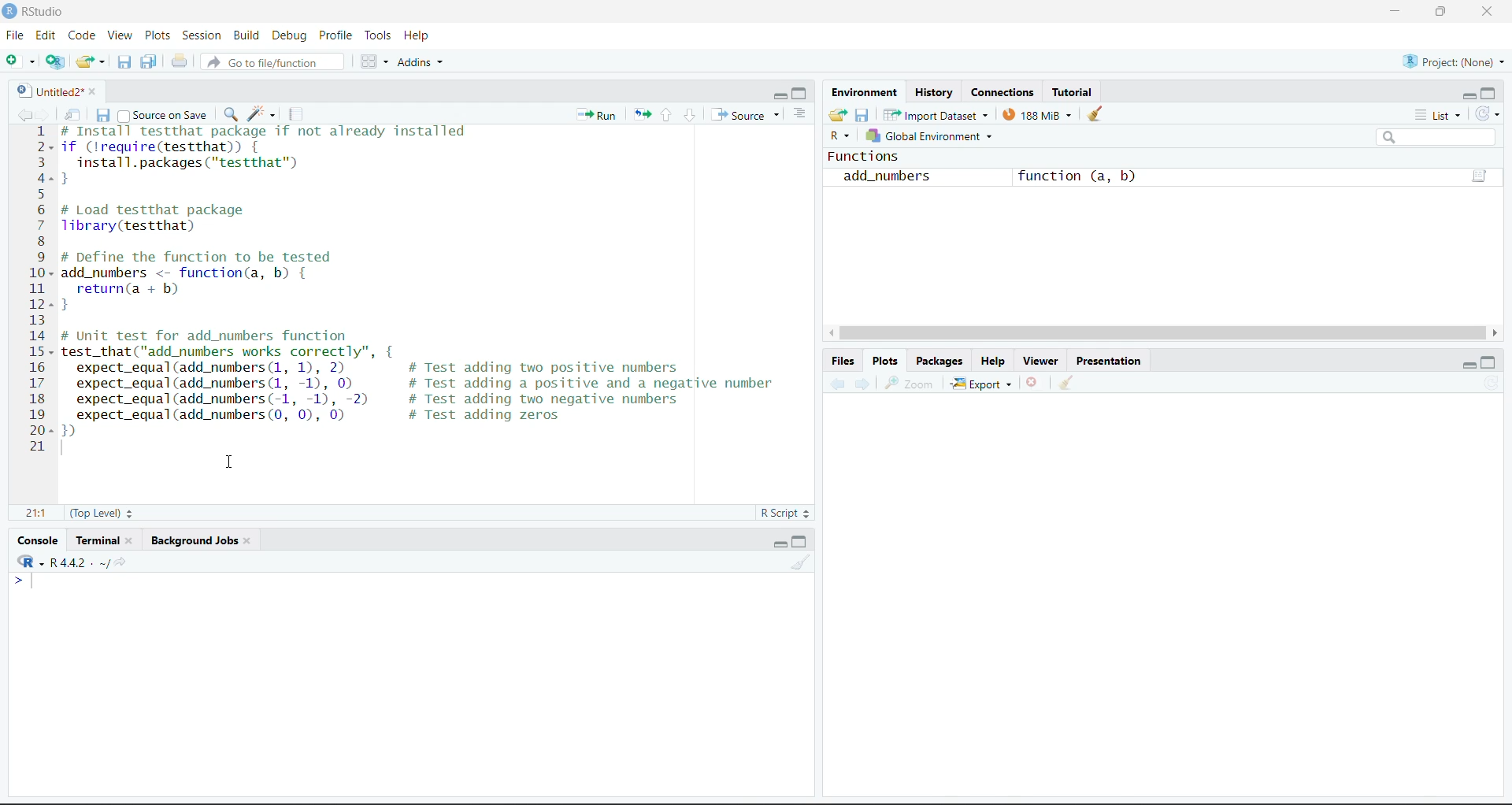 This screenshot has width=1512, height=805. I want to click on source options, so click(780, 115).